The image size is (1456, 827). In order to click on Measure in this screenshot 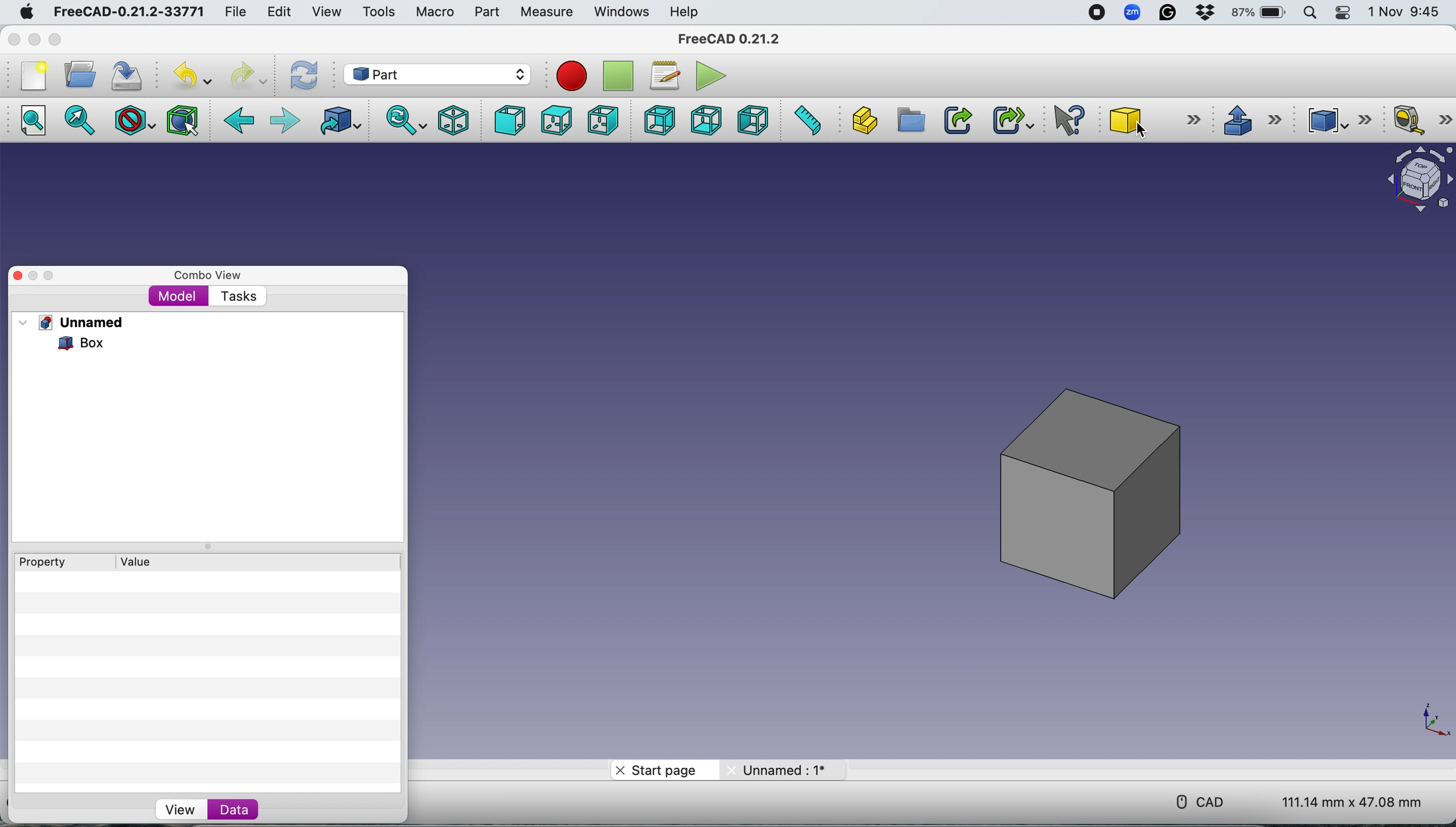, I will do `click(549, 13)`.